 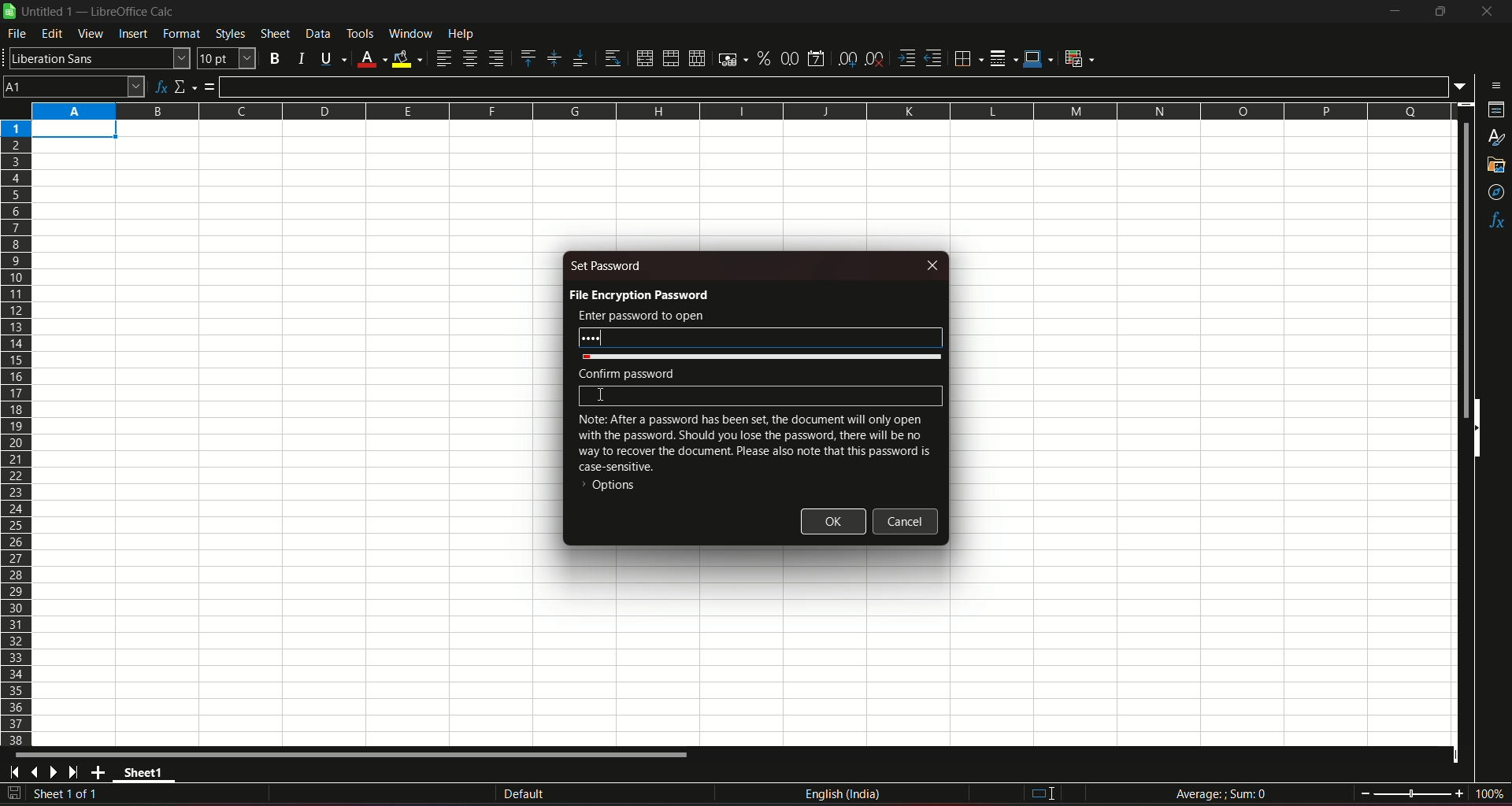 I want to click on merge and center, so click(x=643, y=57).